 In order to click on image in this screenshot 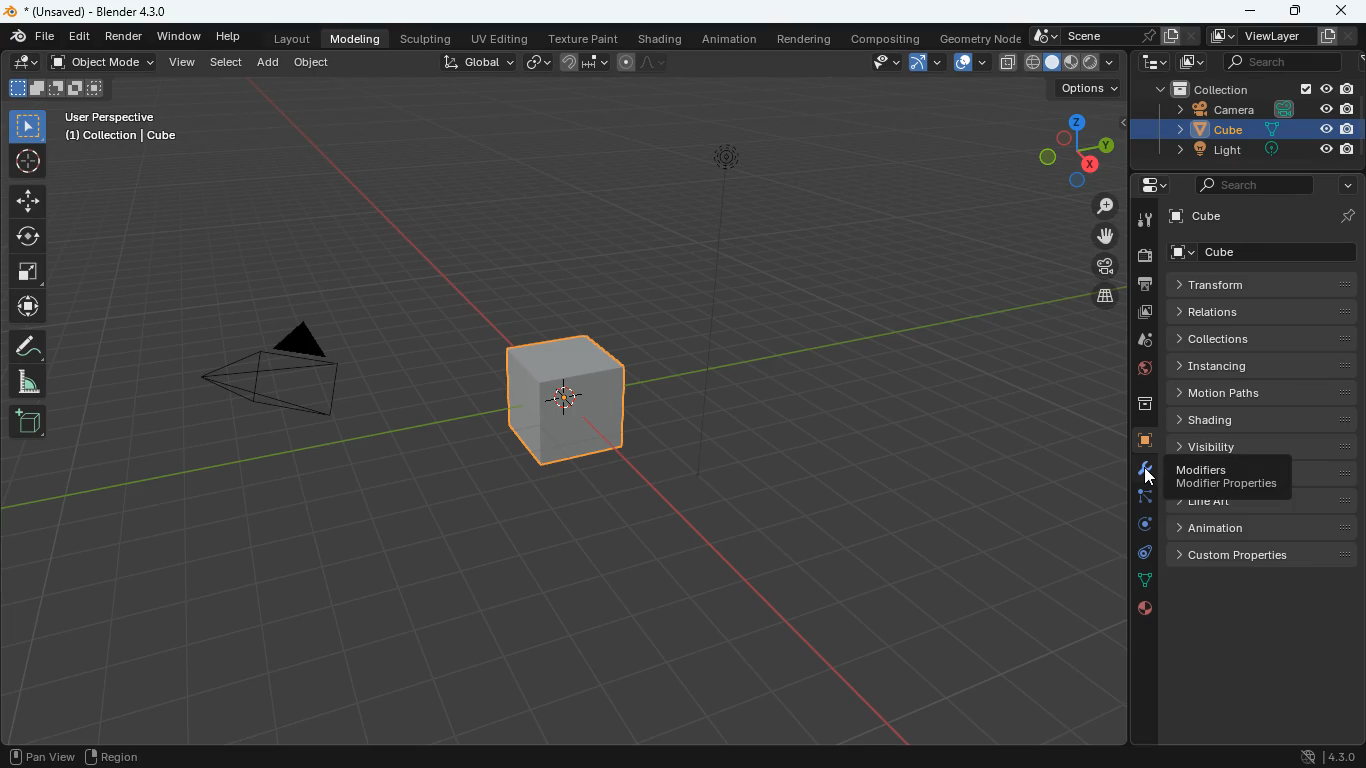, I will do `click(1142, 315)`.